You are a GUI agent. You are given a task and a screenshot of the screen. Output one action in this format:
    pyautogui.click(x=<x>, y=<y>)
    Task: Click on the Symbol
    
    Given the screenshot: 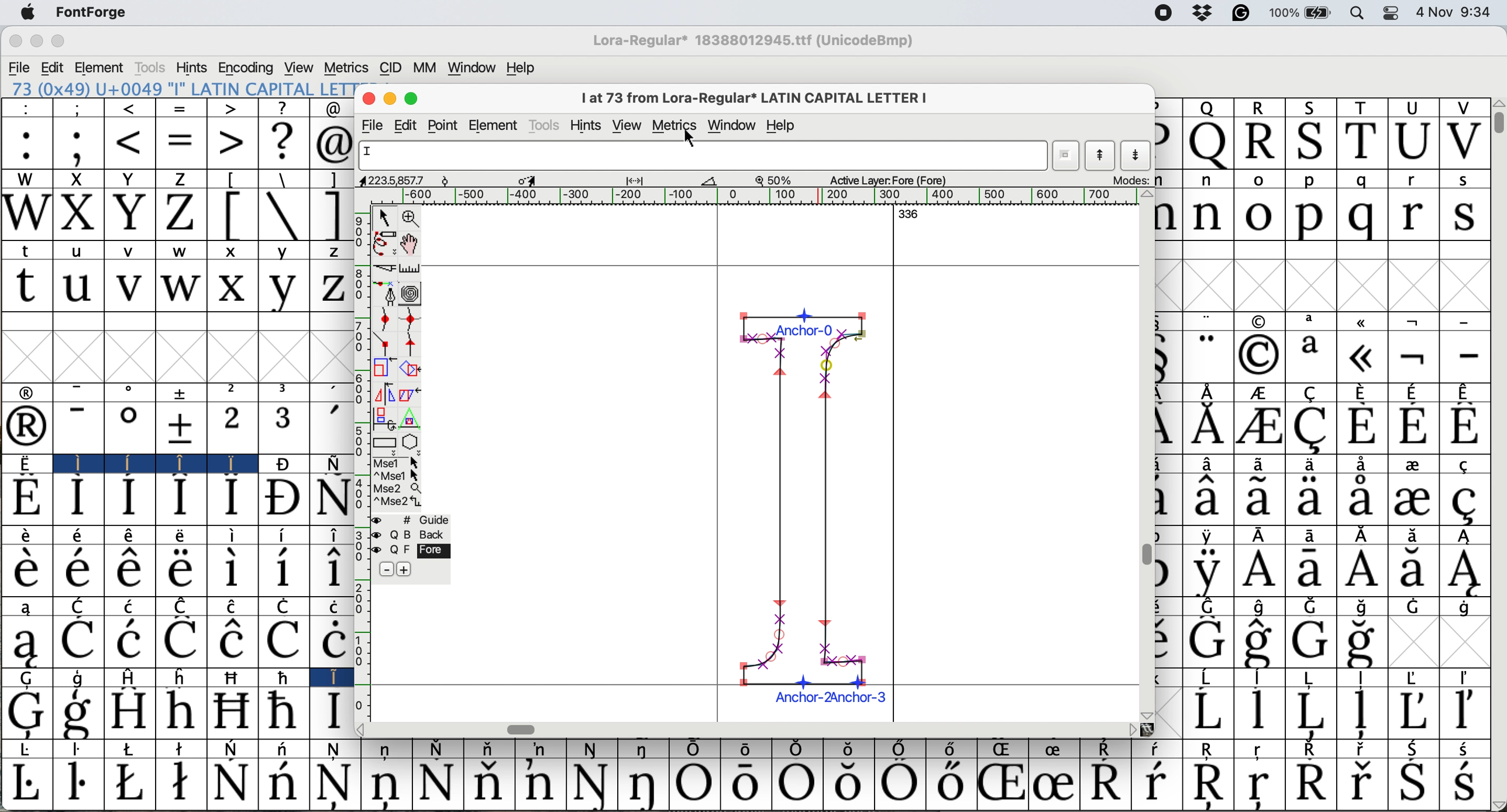 What is the action you would take?
    pyautogui.click(x=1058, y=749)
    